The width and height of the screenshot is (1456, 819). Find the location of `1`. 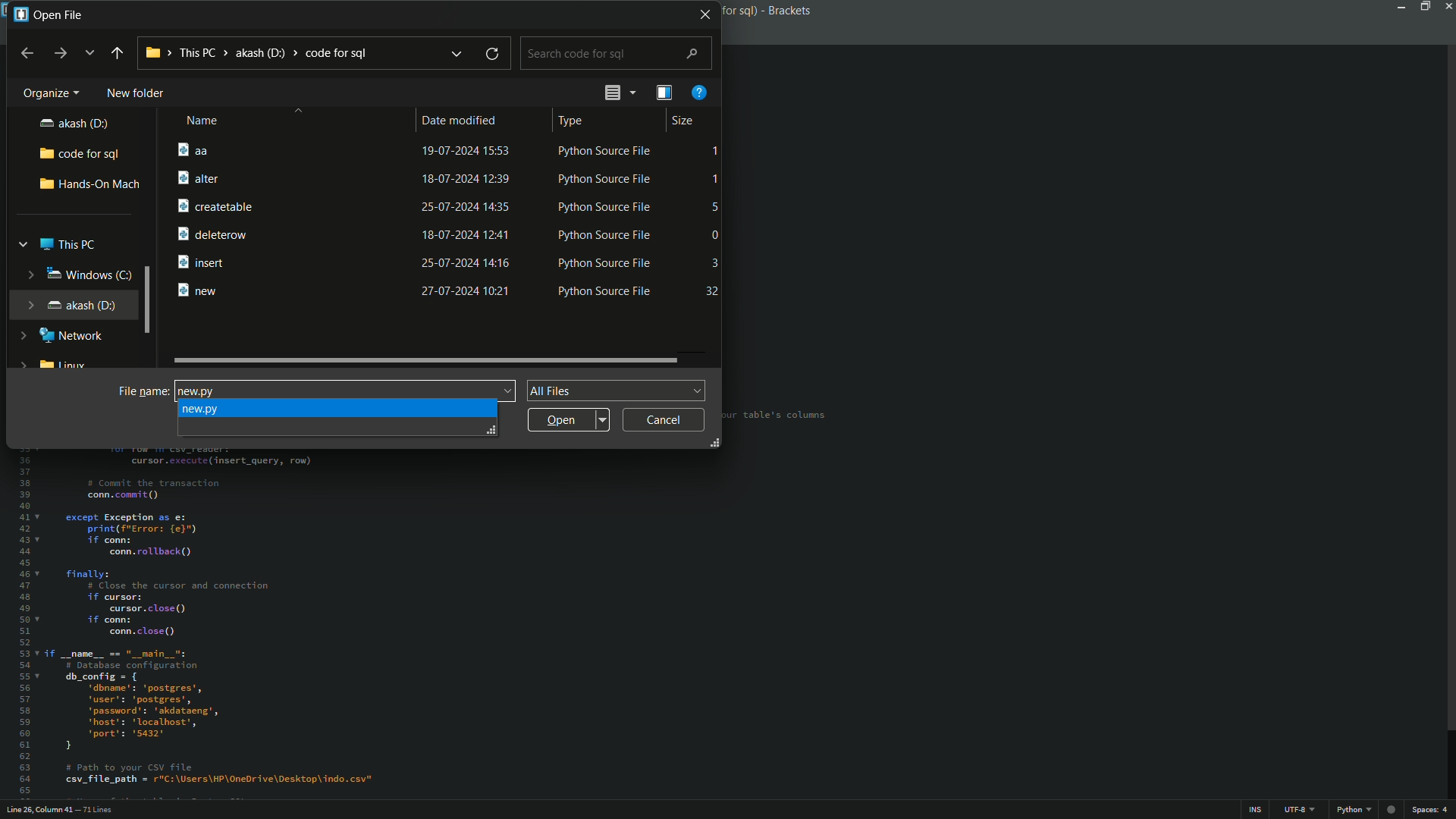

1 is located at coordinates (716, 179).